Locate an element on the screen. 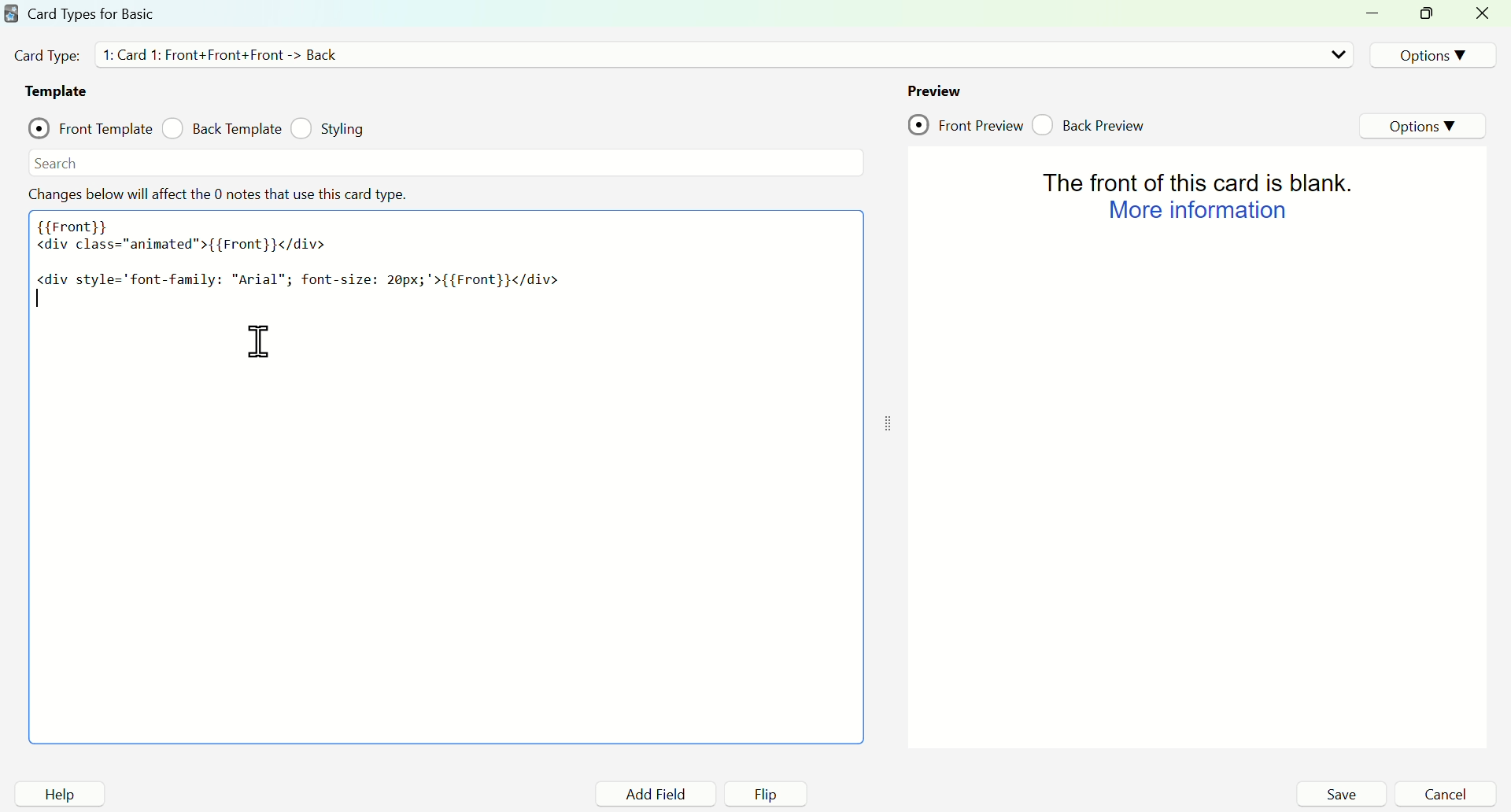 The height and width of the screenshot is (812, 1511). flip is located at coordinates (767, 795).